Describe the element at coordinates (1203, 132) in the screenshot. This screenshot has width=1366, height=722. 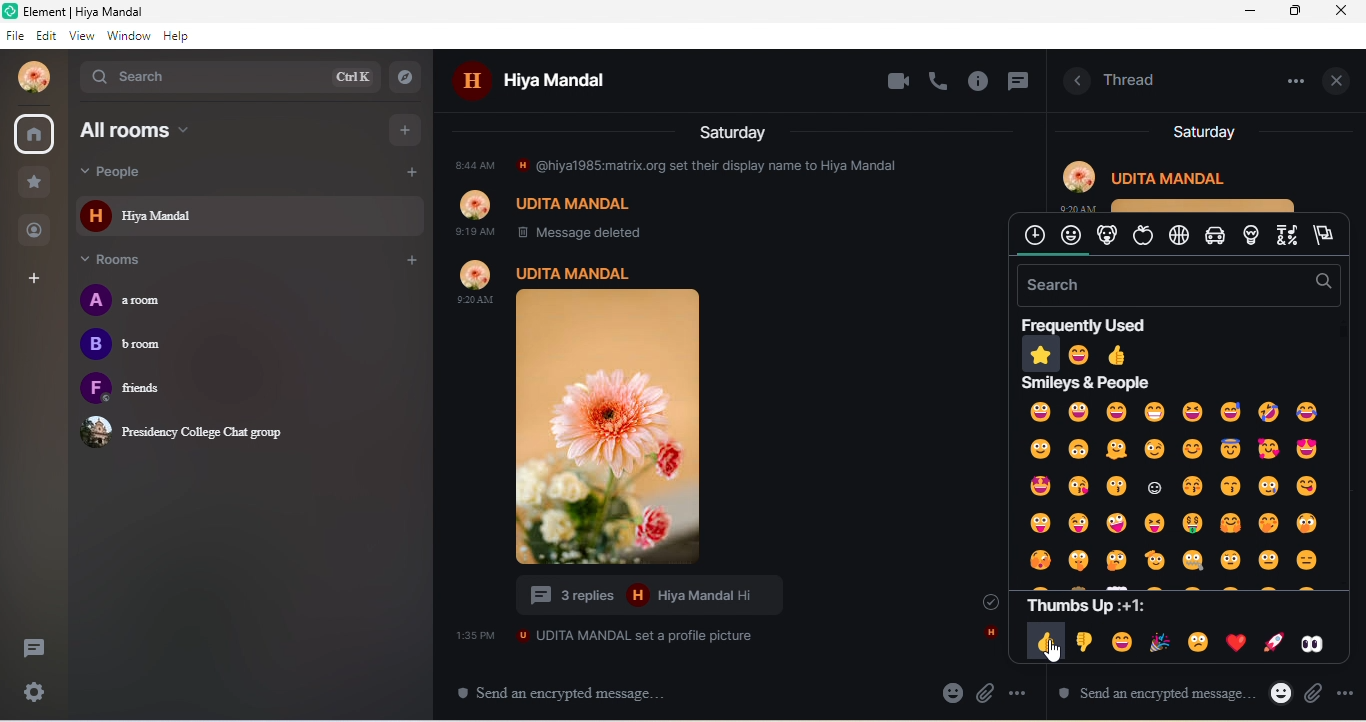
I see `saturday` at that location.